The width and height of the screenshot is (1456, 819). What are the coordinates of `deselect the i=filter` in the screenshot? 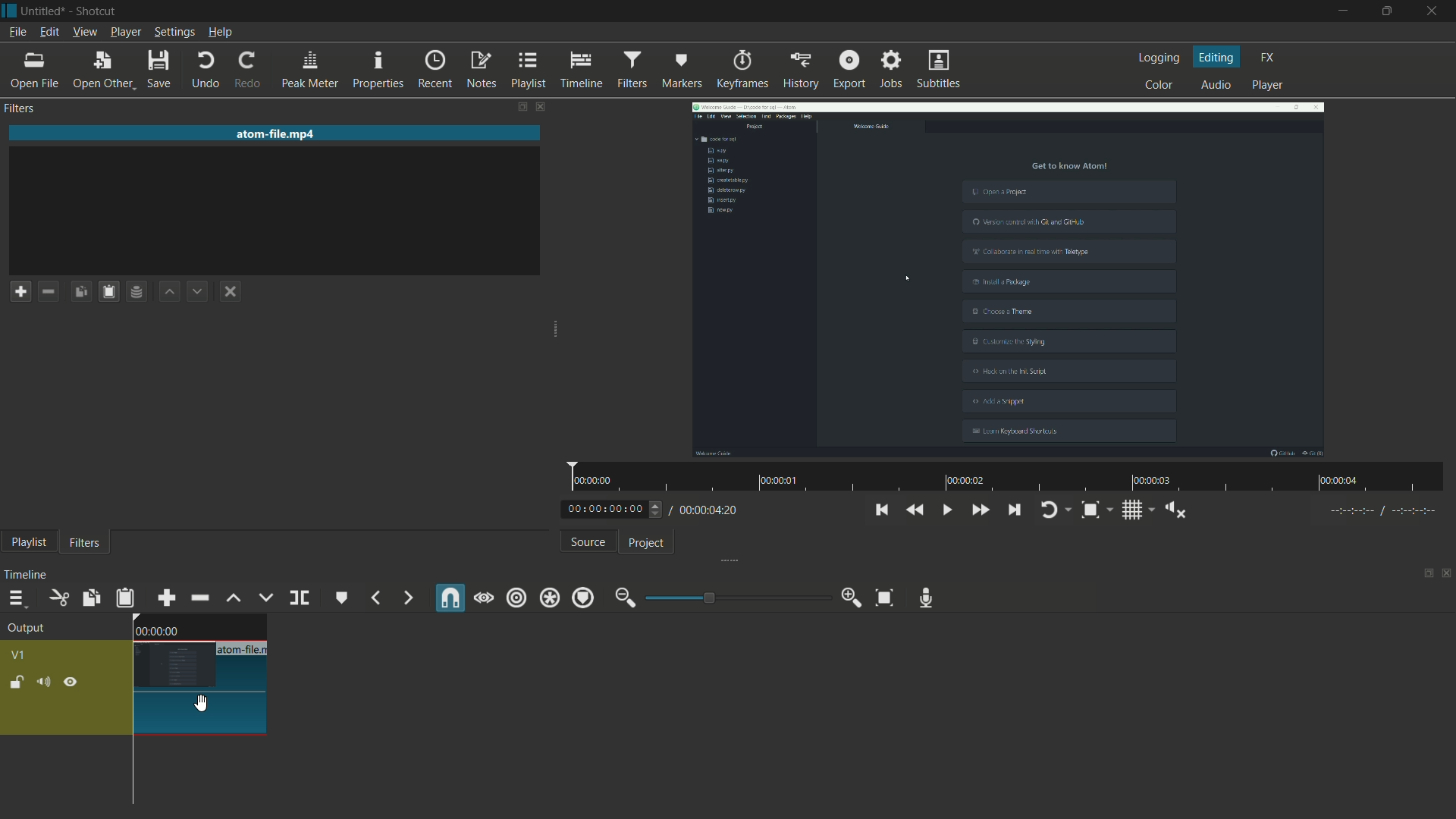 It's located at (231, 291).